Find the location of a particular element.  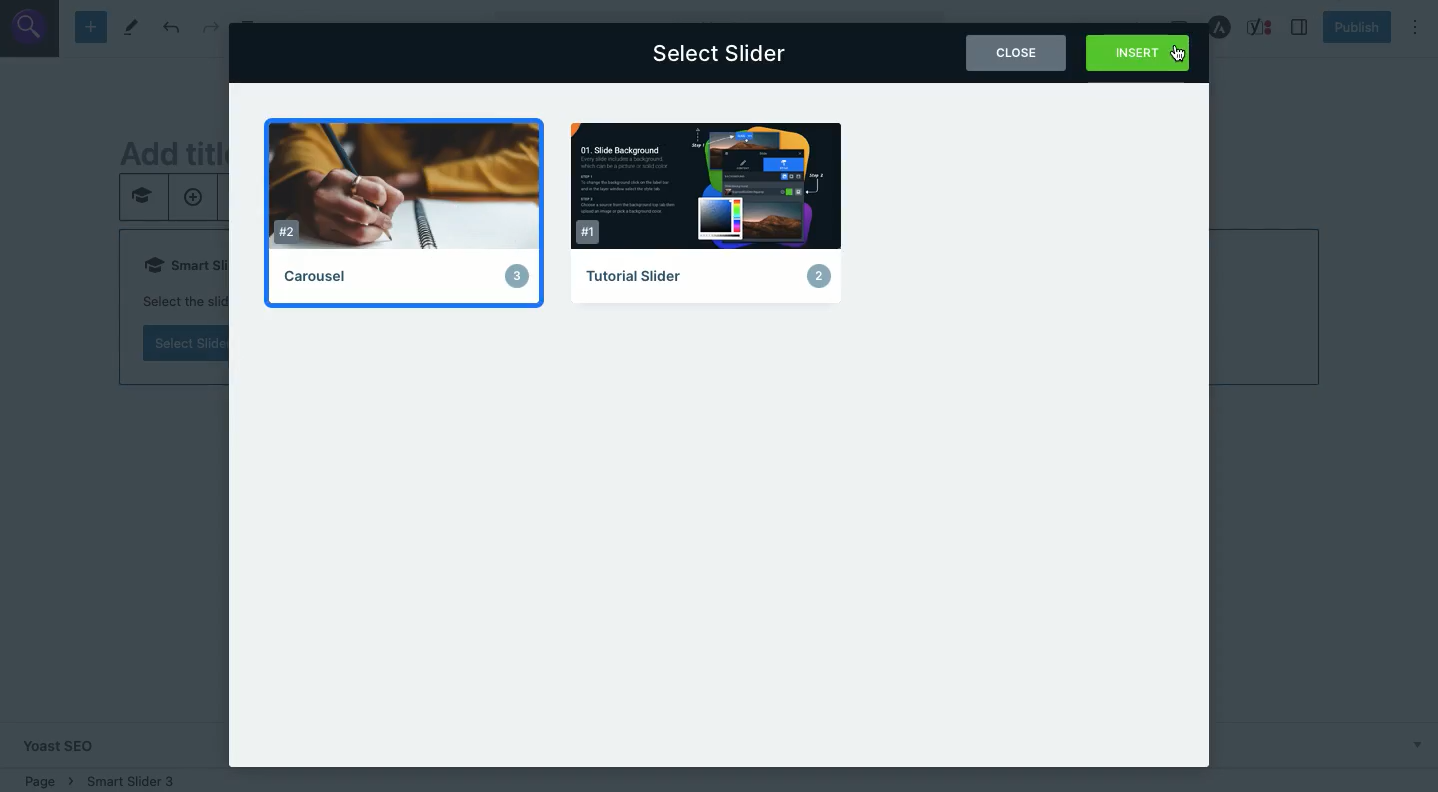

Select slider is located at coordinates (722, 54).